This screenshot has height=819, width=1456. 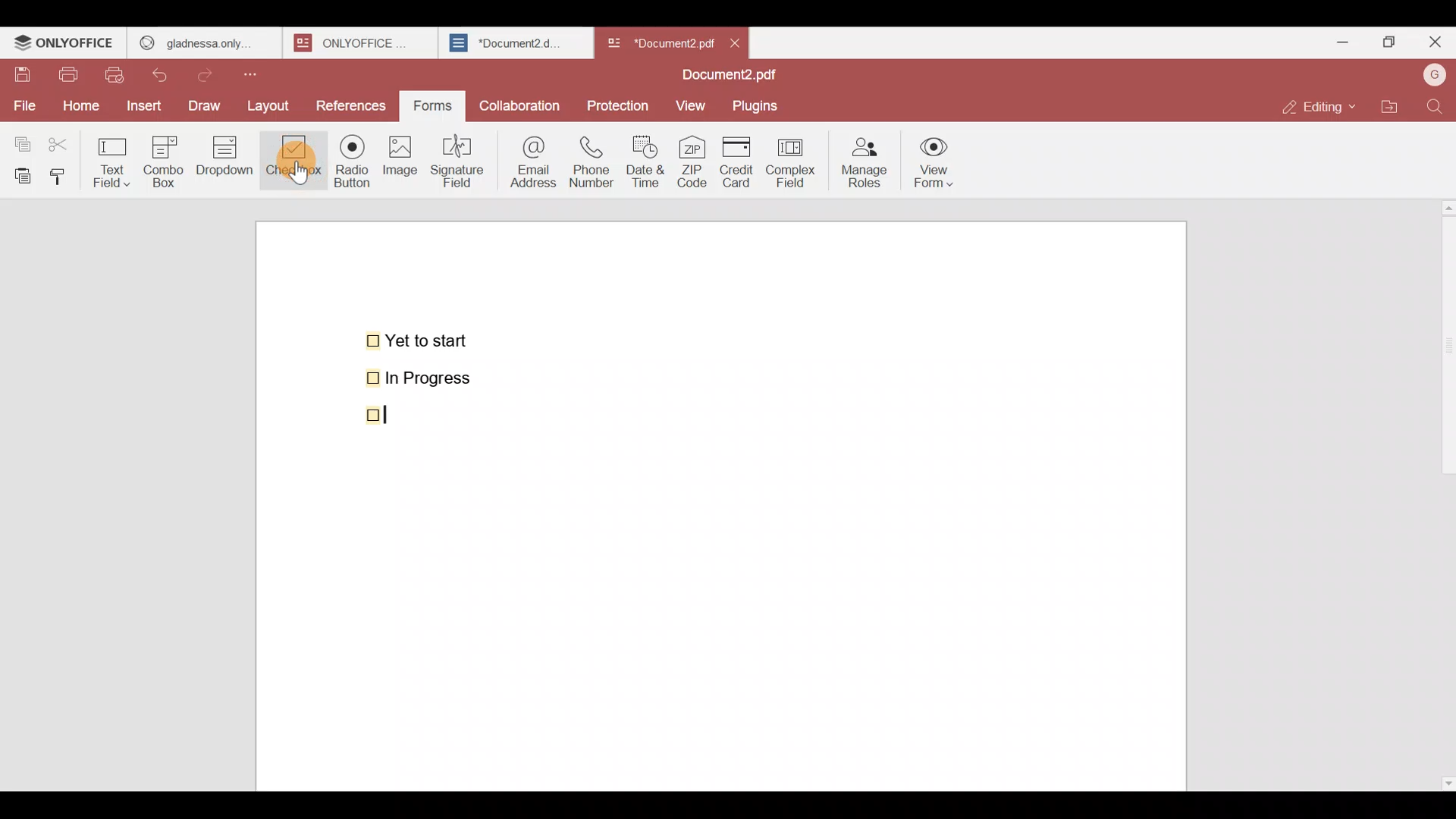 I want to click on Text field, so click(x=115, y=158).